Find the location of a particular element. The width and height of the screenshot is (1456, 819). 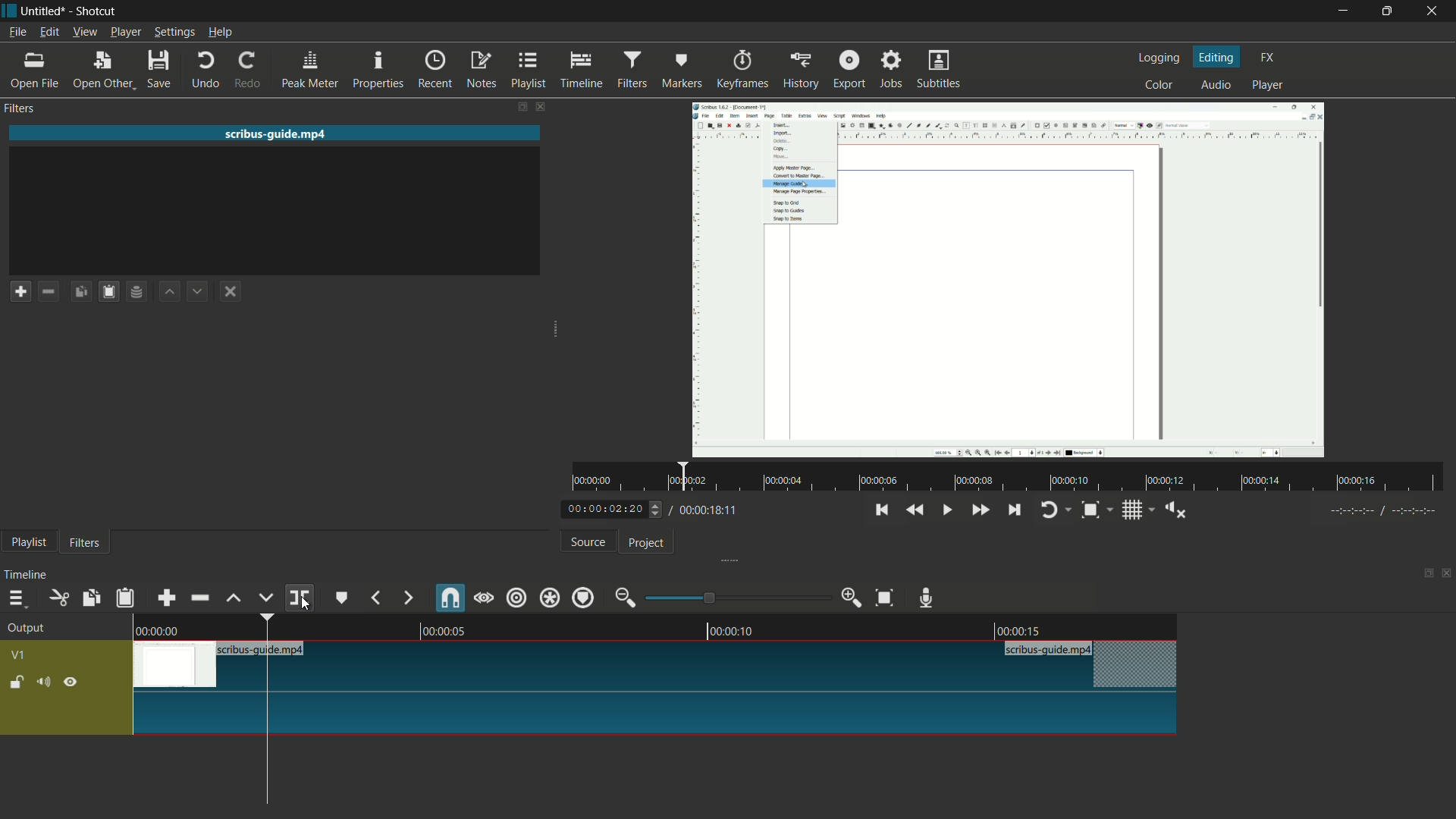

change layout is located at coordinates (1426, 575).